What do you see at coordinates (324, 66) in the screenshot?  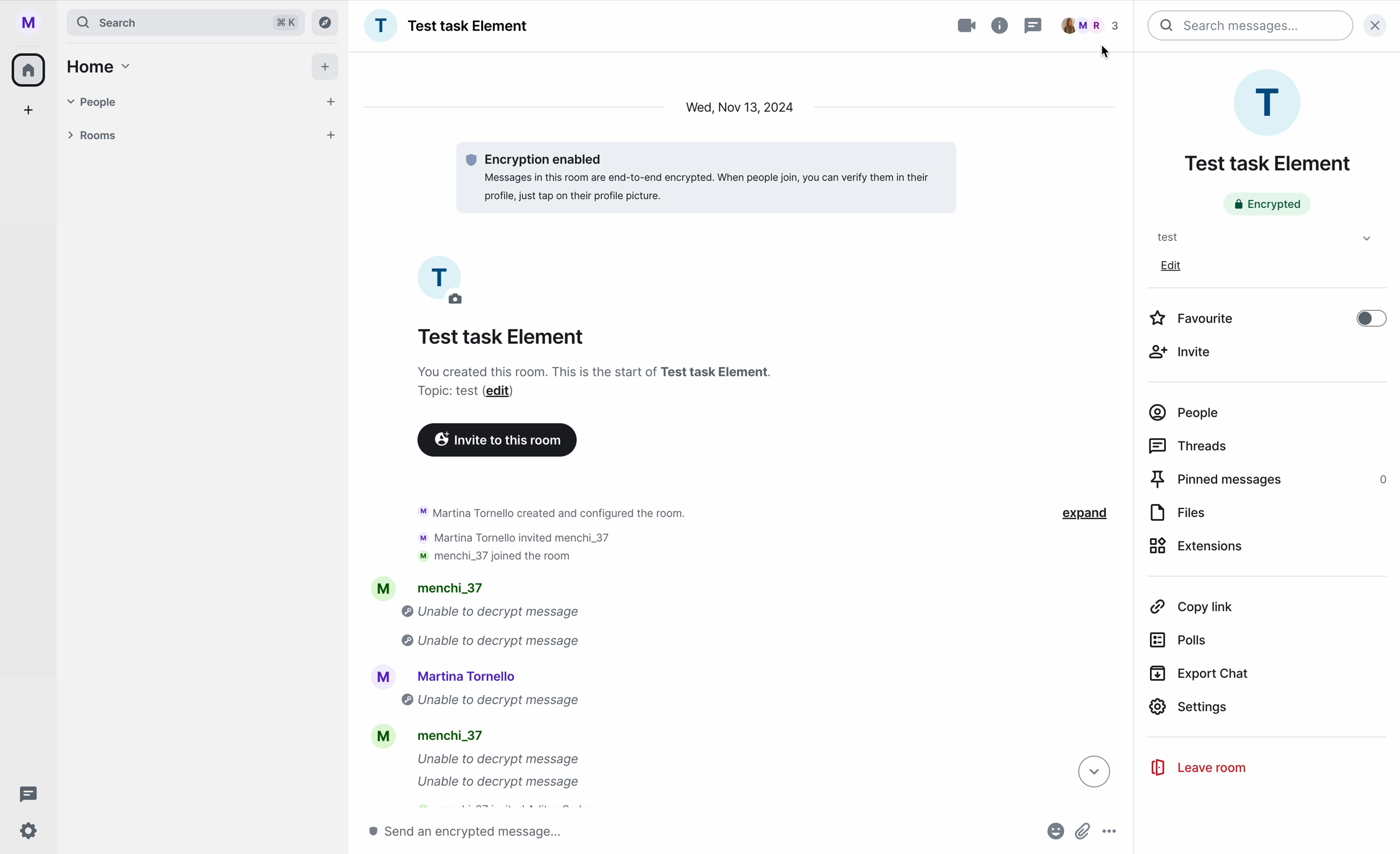 I see `add` at bounding box center [324, 66].